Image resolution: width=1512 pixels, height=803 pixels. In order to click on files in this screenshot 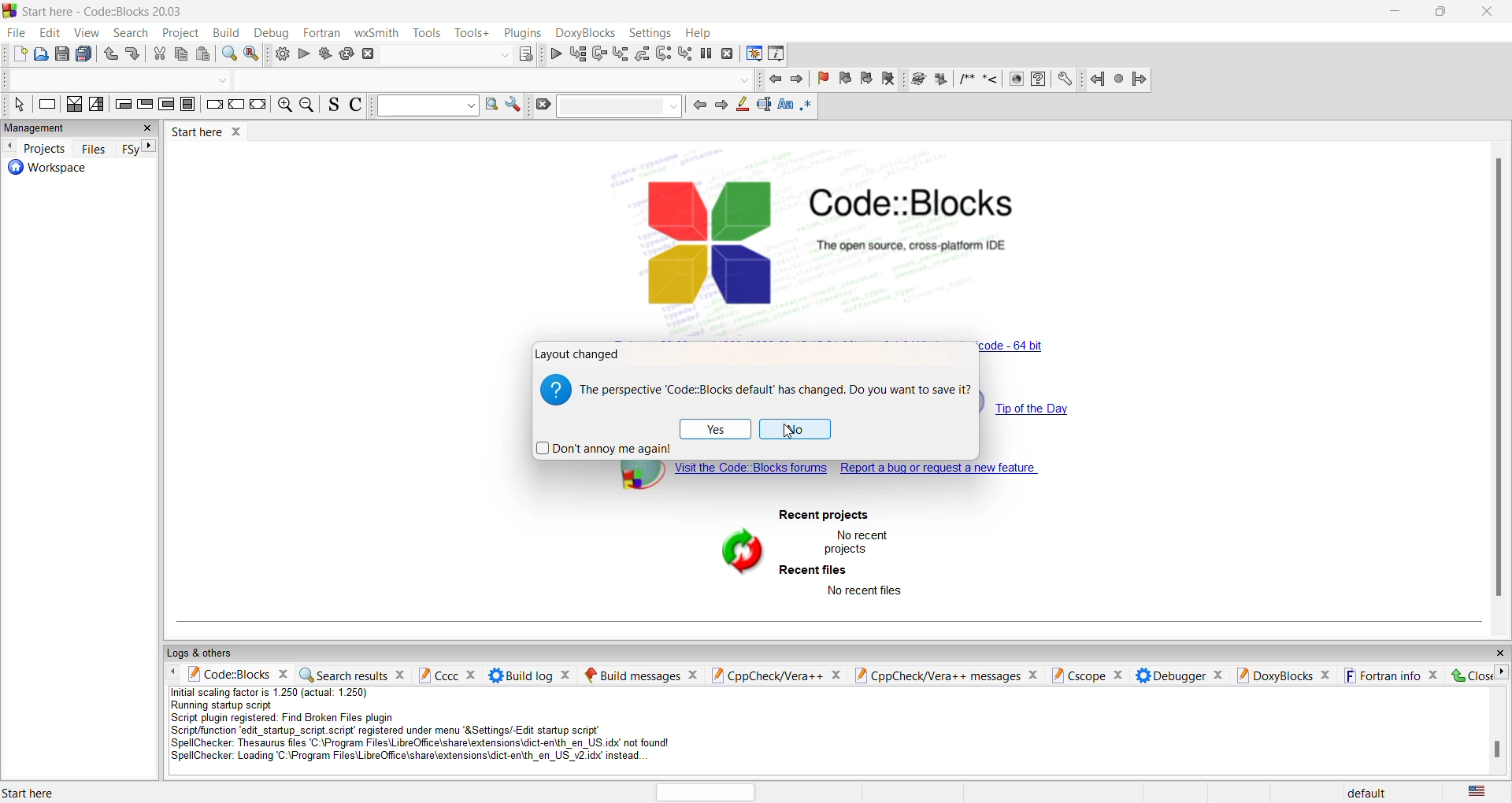, I will do `click(94, 147)`.